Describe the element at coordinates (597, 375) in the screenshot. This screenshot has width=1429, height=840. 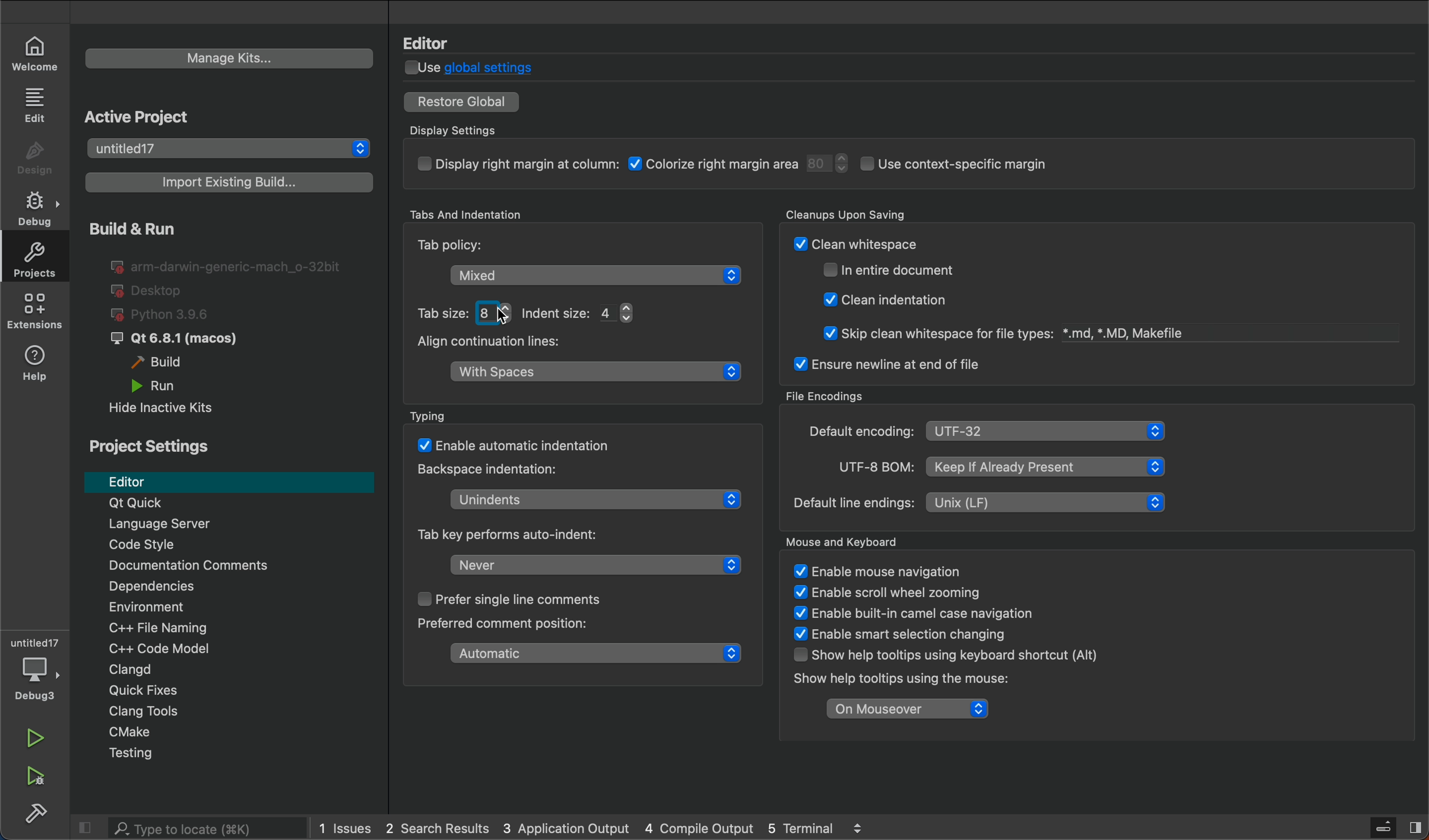
I see `white spaces` at that location.